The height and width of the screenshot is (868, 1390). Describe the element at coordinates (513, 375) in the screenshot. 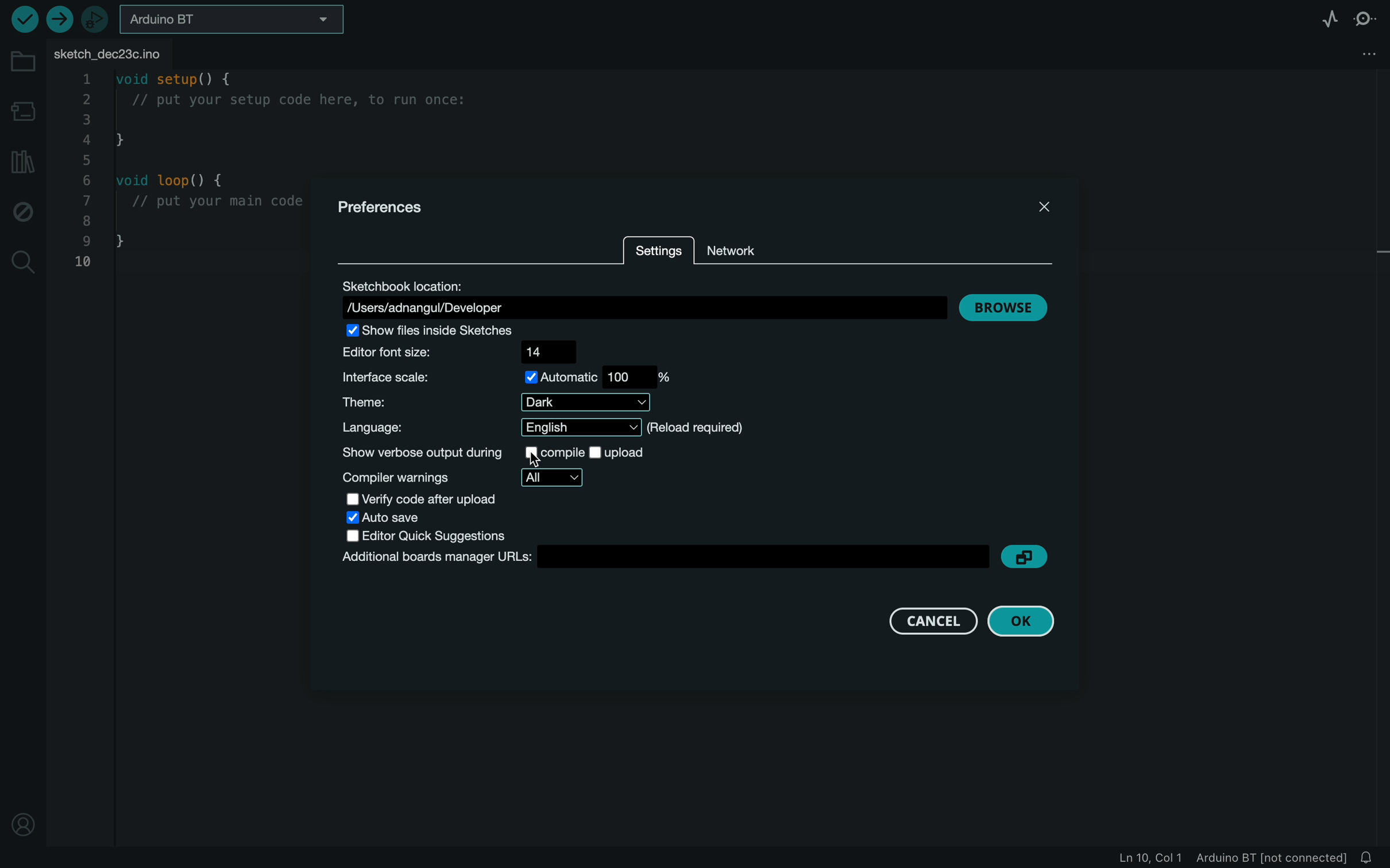

I see `scale` at that location.